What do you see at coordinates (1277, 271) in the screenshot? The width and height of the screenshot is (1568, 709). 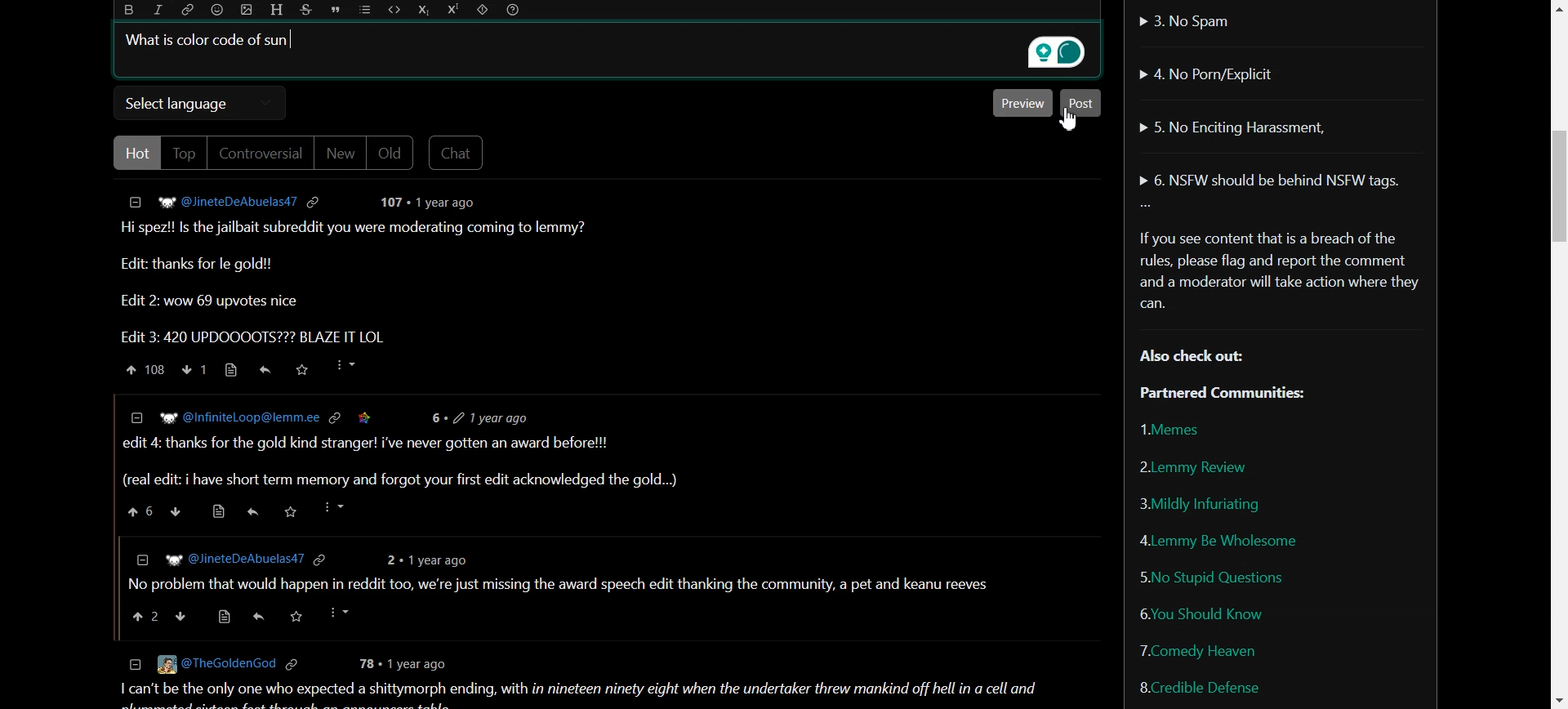 I see `Text` at bounding box center [1277, 271].